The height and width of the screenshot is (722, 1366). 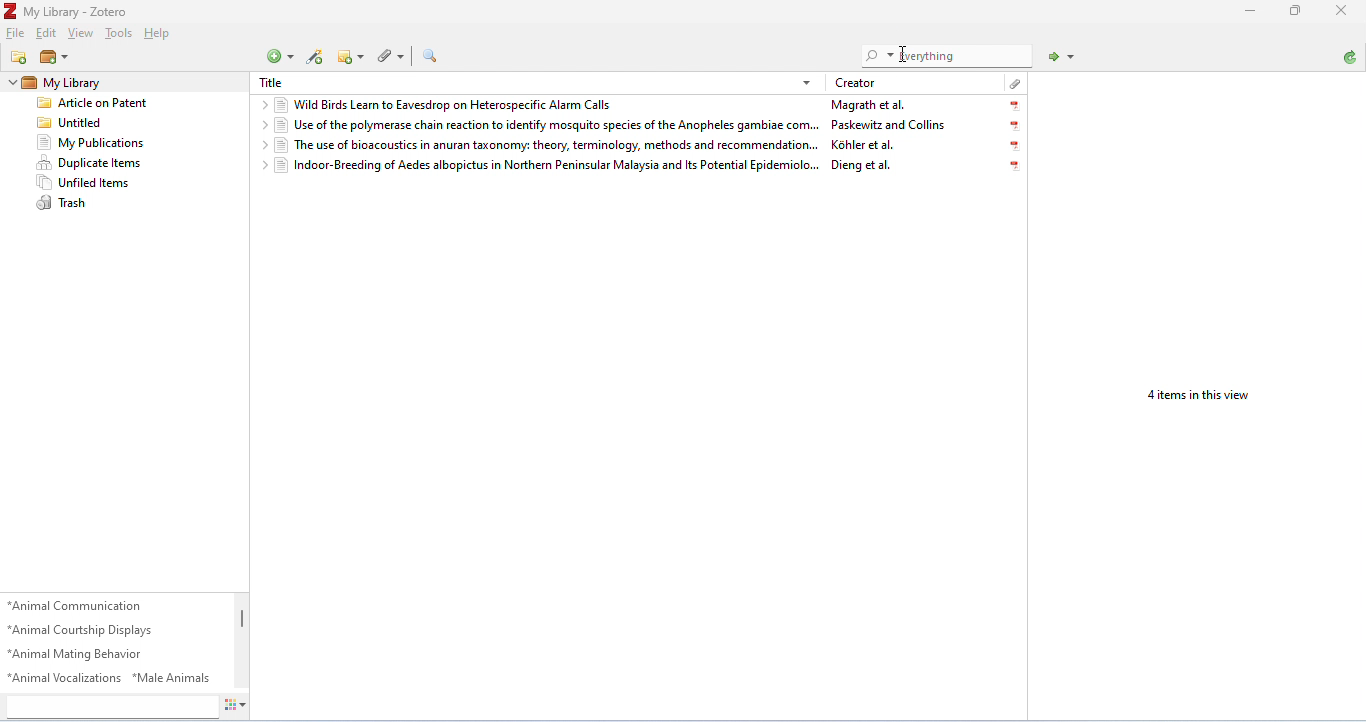 I want to click on New Library..., so click(x=55, y=58).